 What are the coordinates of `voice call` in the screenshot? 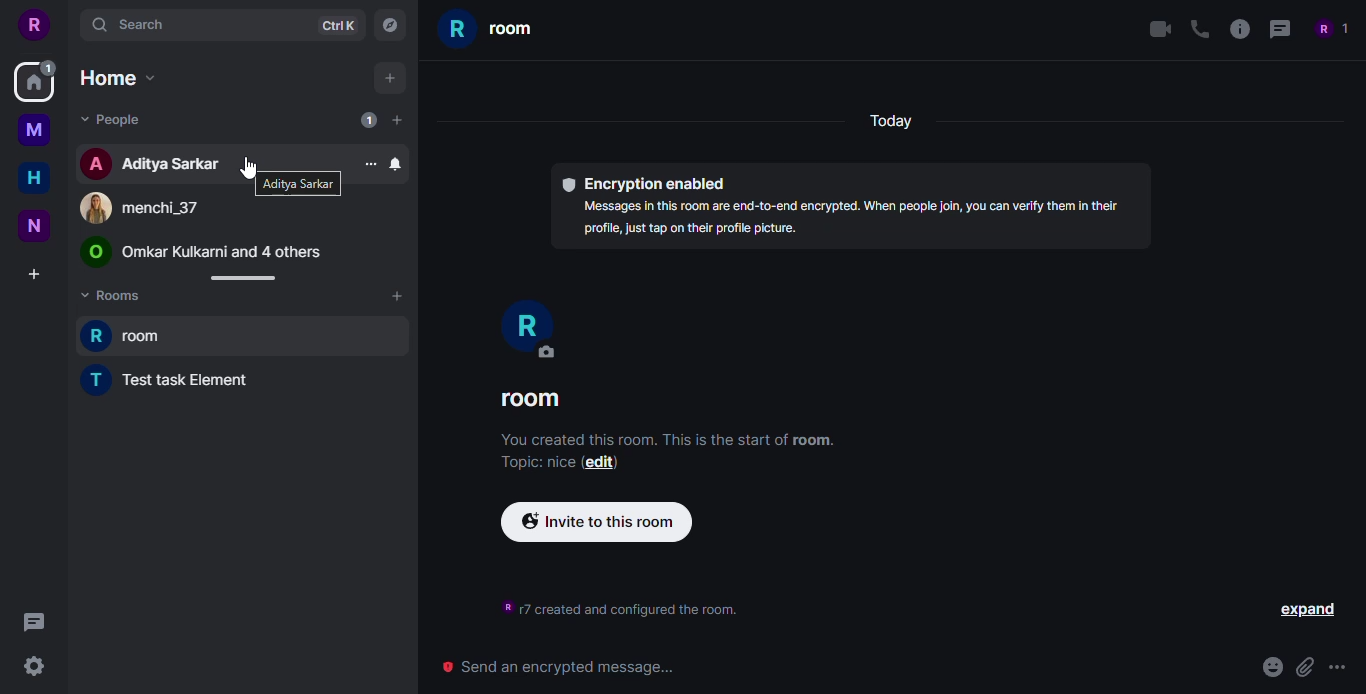 It's located at (1197, 28).